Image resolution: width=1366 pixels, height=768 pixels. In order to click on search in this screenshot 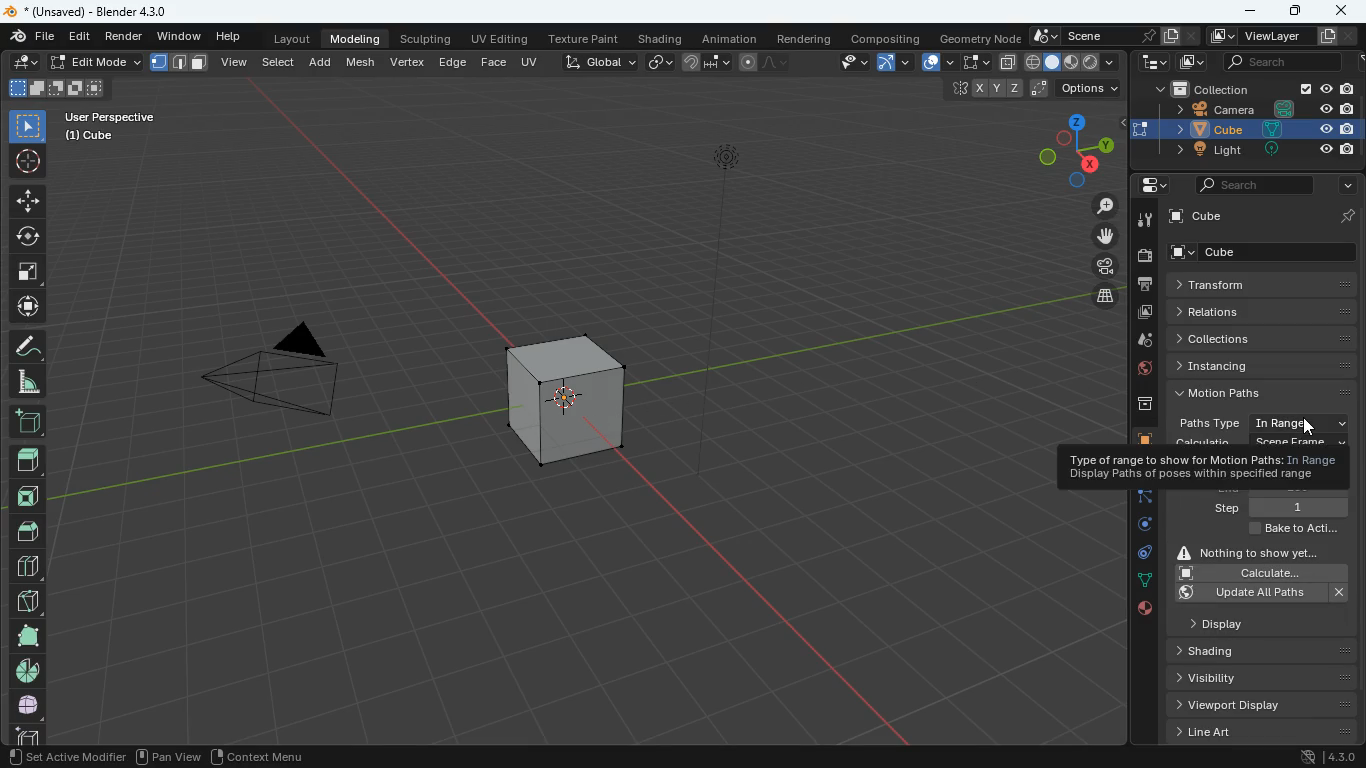, I will do `click(1274, 63)`.